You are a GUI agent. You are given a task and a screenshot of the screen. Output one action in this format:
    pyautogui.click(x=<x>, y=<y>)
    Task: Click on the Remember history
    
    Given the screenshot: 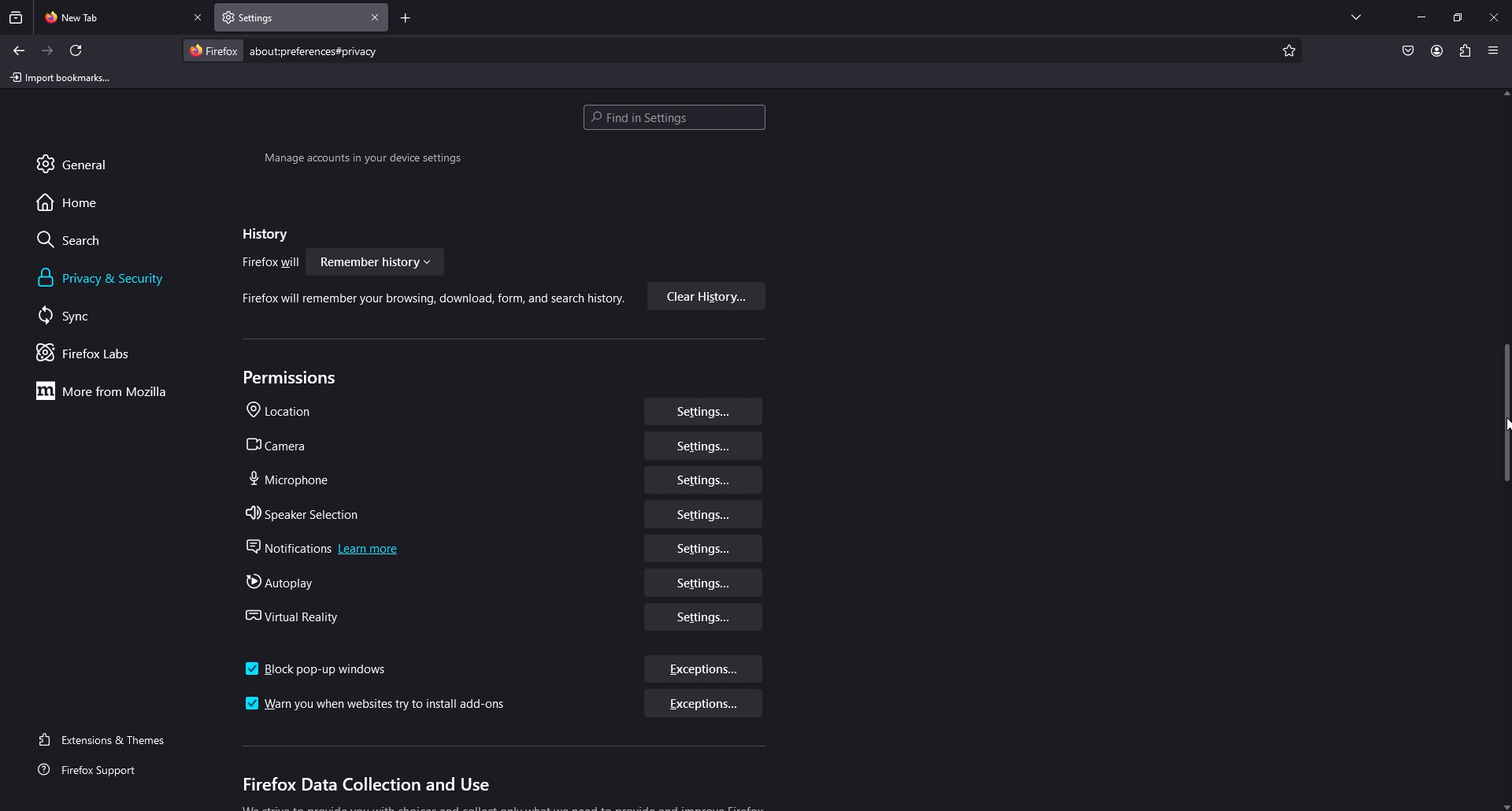 What is the action you would take?
    pyautogui.click(x=376, y=261)
    